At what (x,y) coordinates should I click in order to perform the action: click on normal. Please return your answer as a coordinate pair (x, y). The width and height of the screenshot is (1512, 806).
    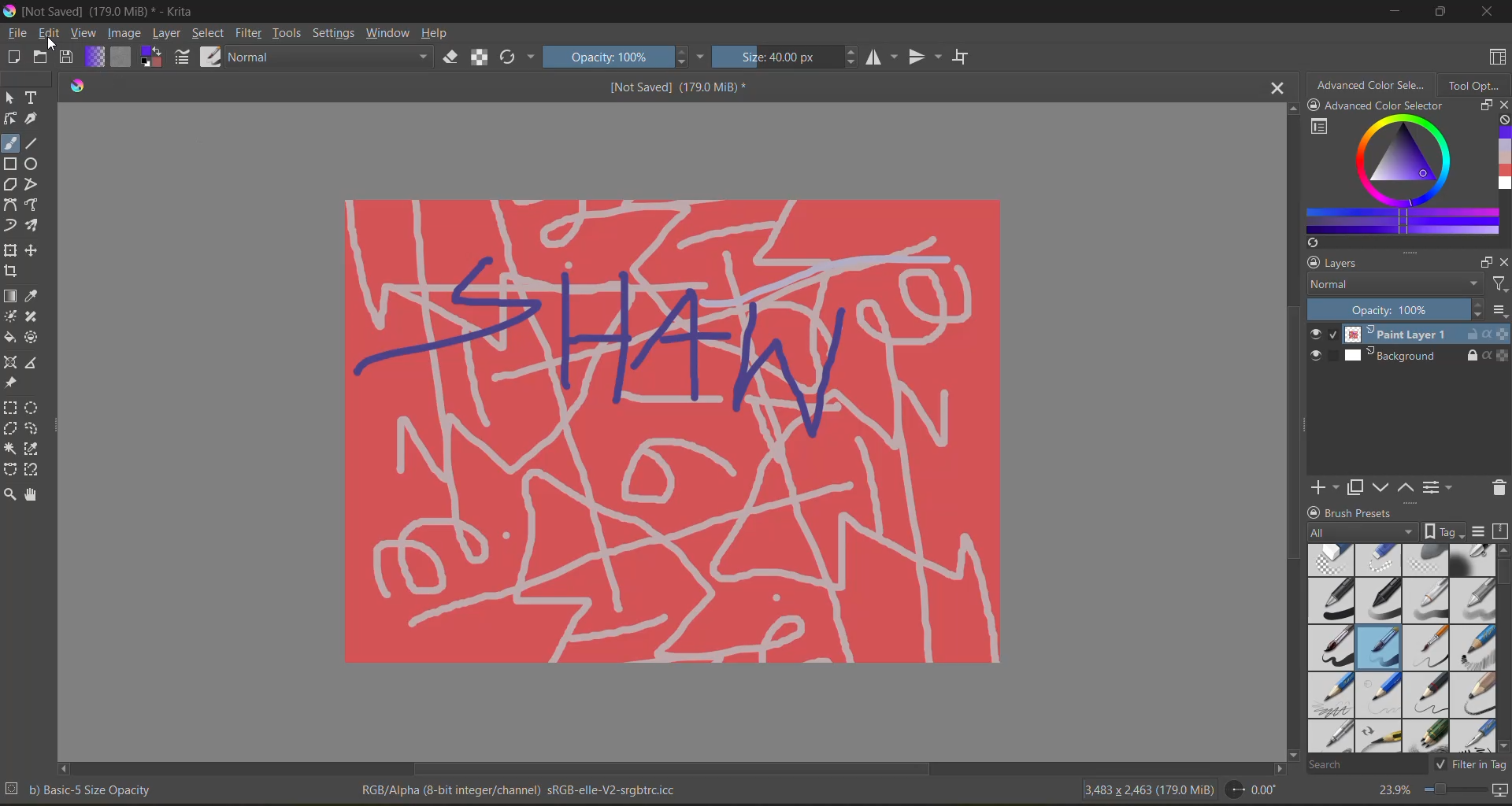
    Looking at the image, I should click on (1392, 285).